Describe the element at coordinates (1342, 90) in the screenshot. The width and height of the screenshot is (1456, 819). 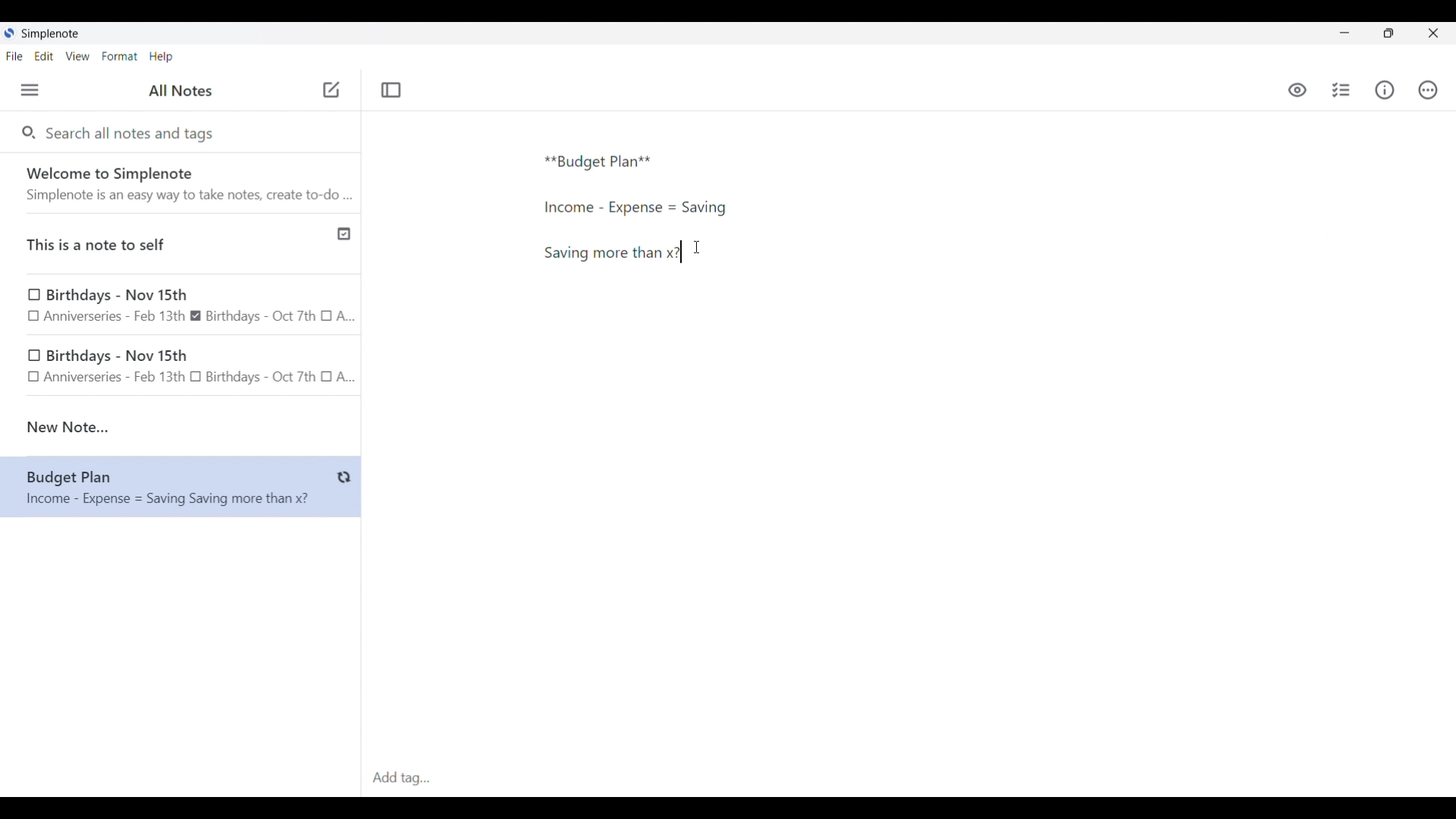
I see `Insert checklist` at that location.